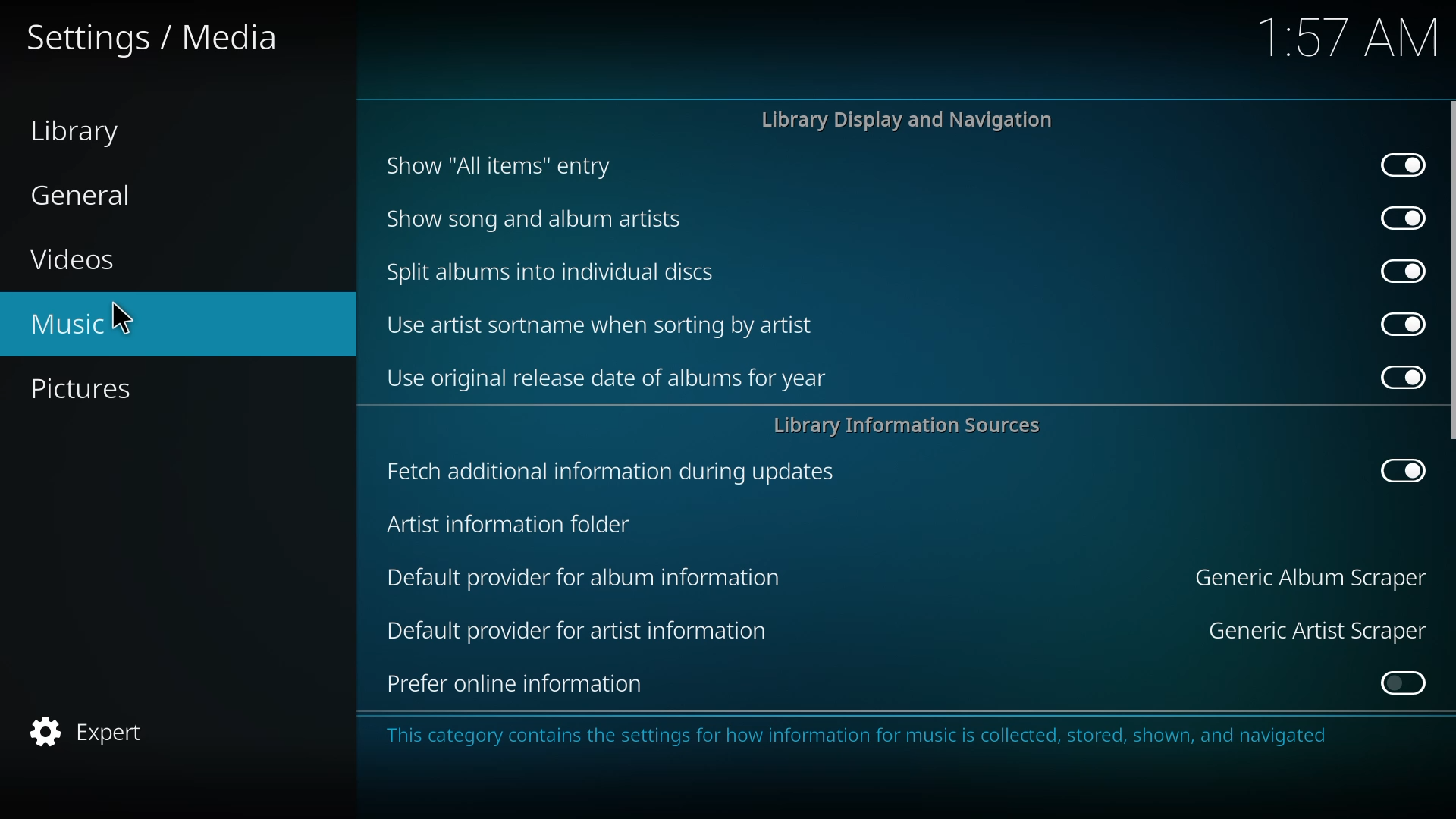  Describe the element at coordinates (121, 318) in the screenshot. I see `cursor` at that location.